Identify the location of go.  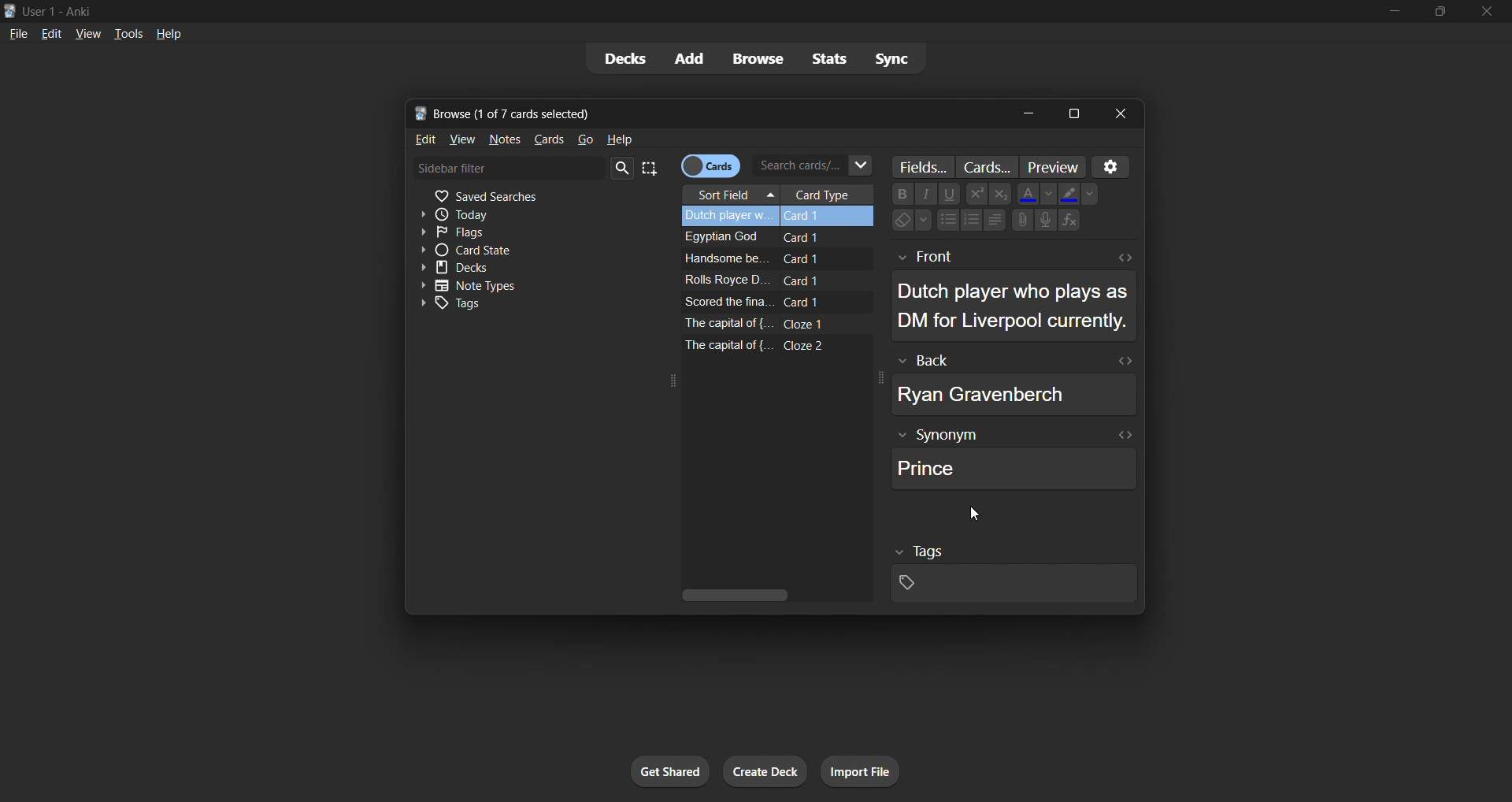
(584, 139).